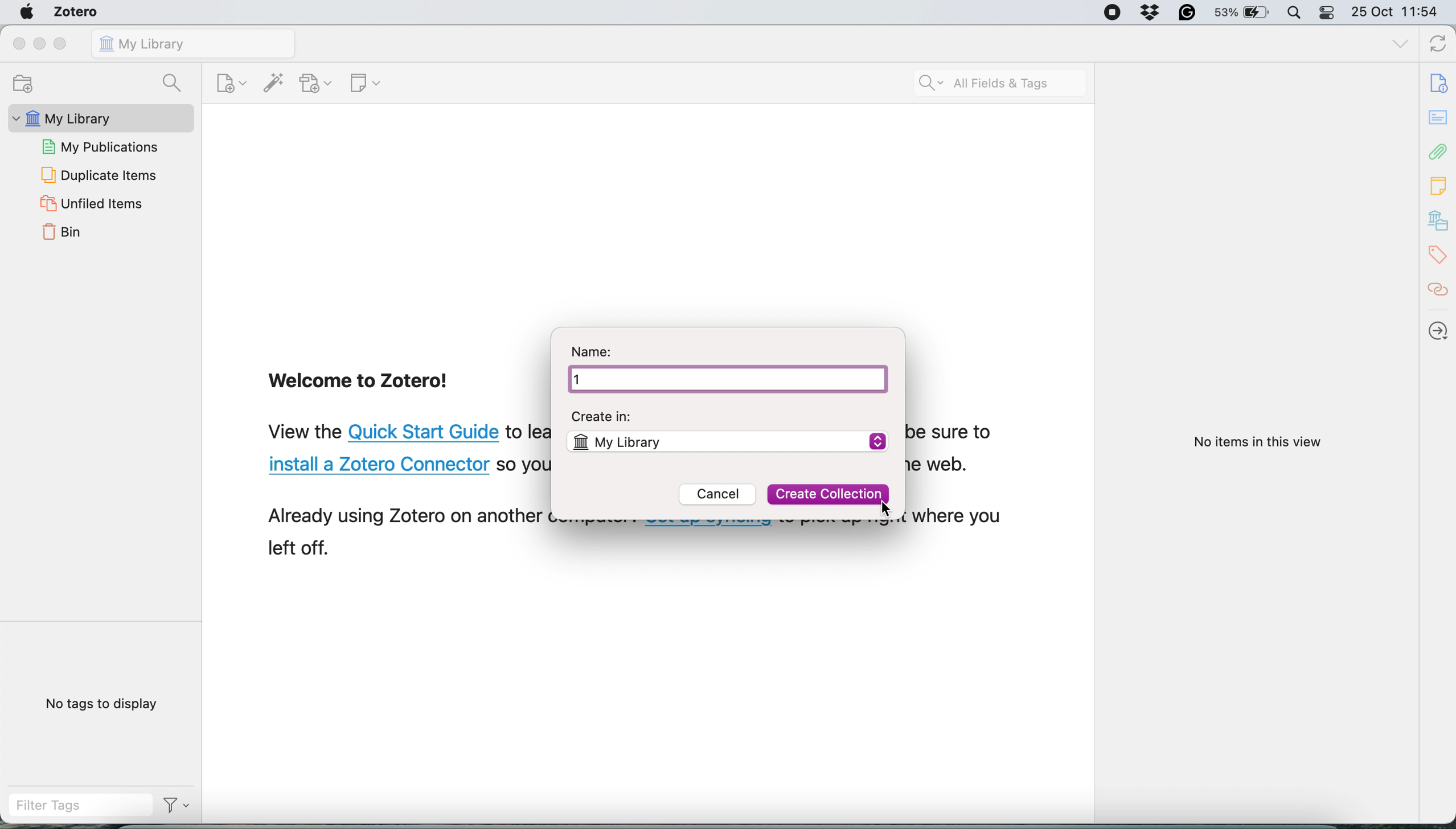 The width and height of the screenshot is (1456, 829). What do you see at coordinates (1439, 327) in the screenshot?
I see `locate` at bounding box center [1439, 327].